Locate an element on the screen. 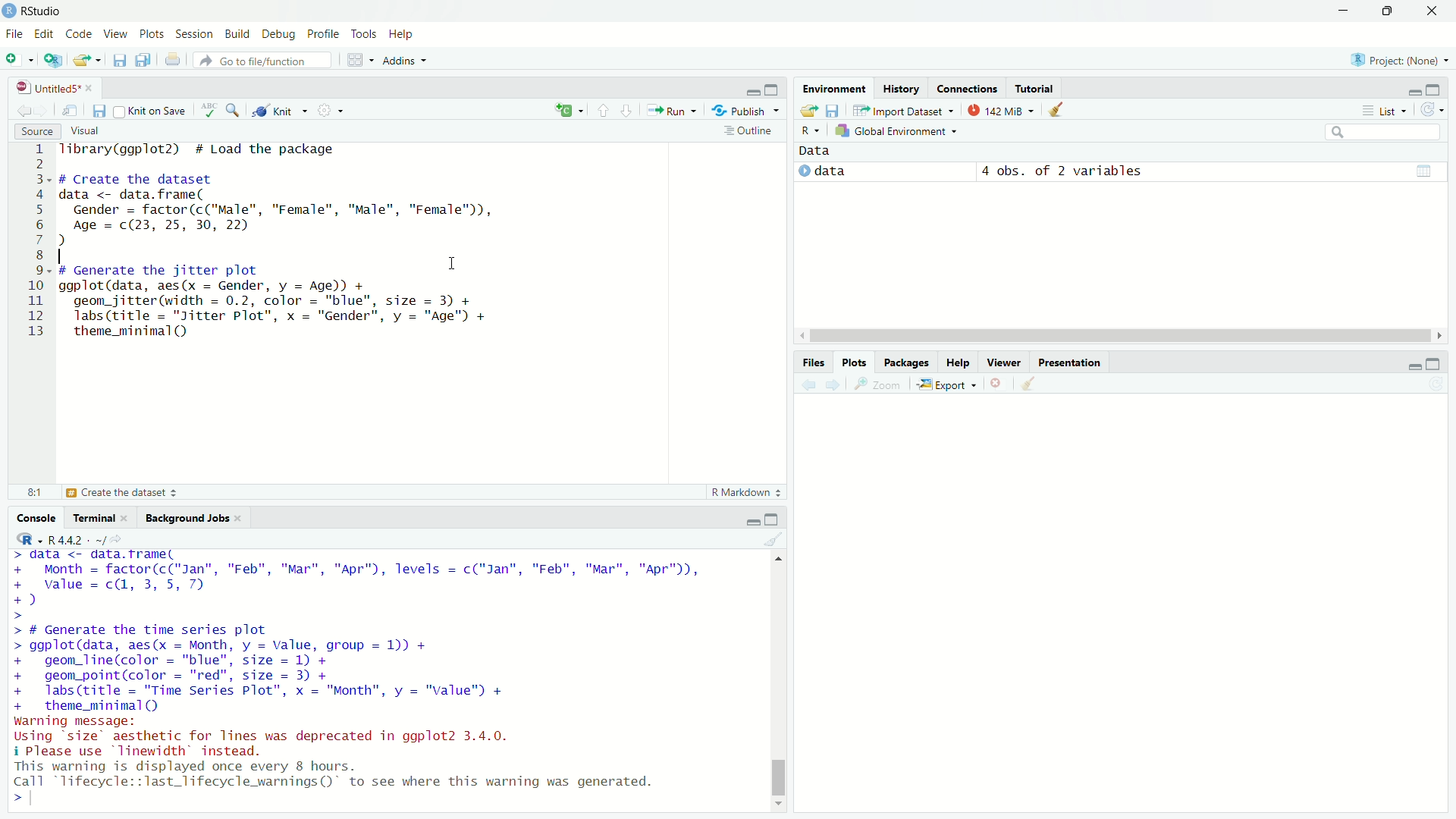 The height and width of the screenshot is (819, 1456). move up is located at coordinates (777, 559).